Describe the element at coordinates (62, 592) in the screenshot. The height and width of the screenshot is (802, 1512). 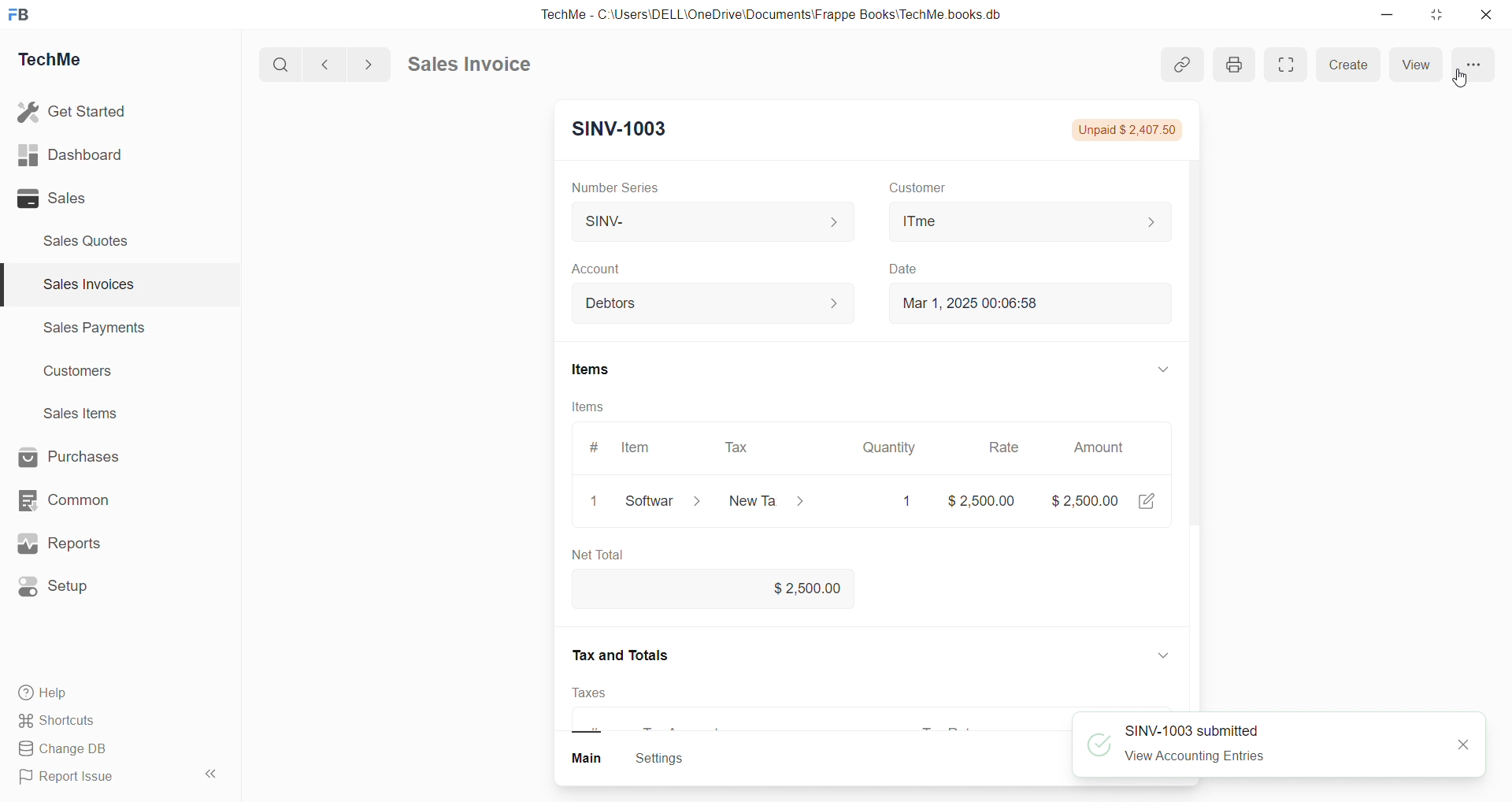
I see `@ Setup` at that location.